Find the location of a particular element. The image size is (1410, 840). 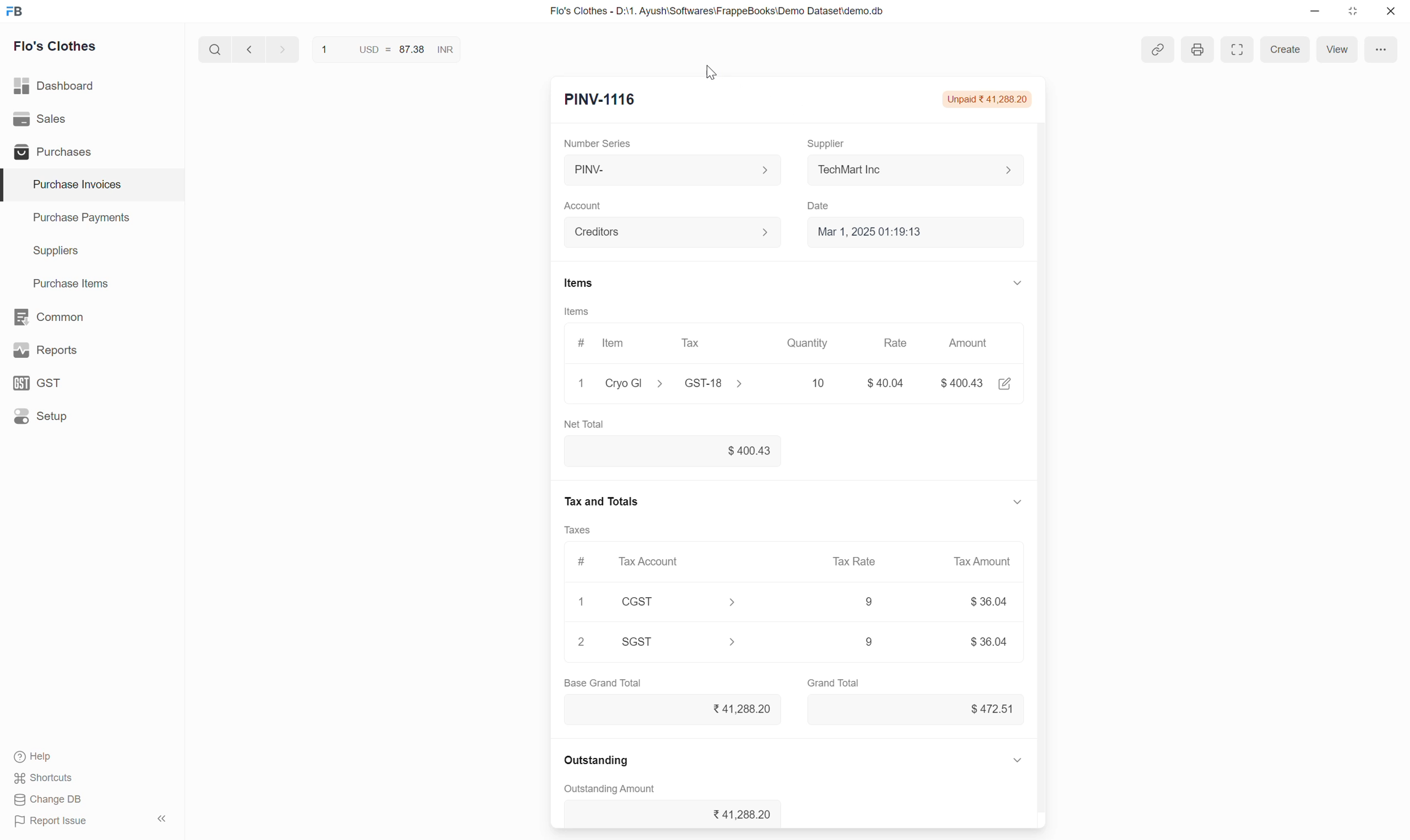

Change DB is located at coordinates (48, 800).